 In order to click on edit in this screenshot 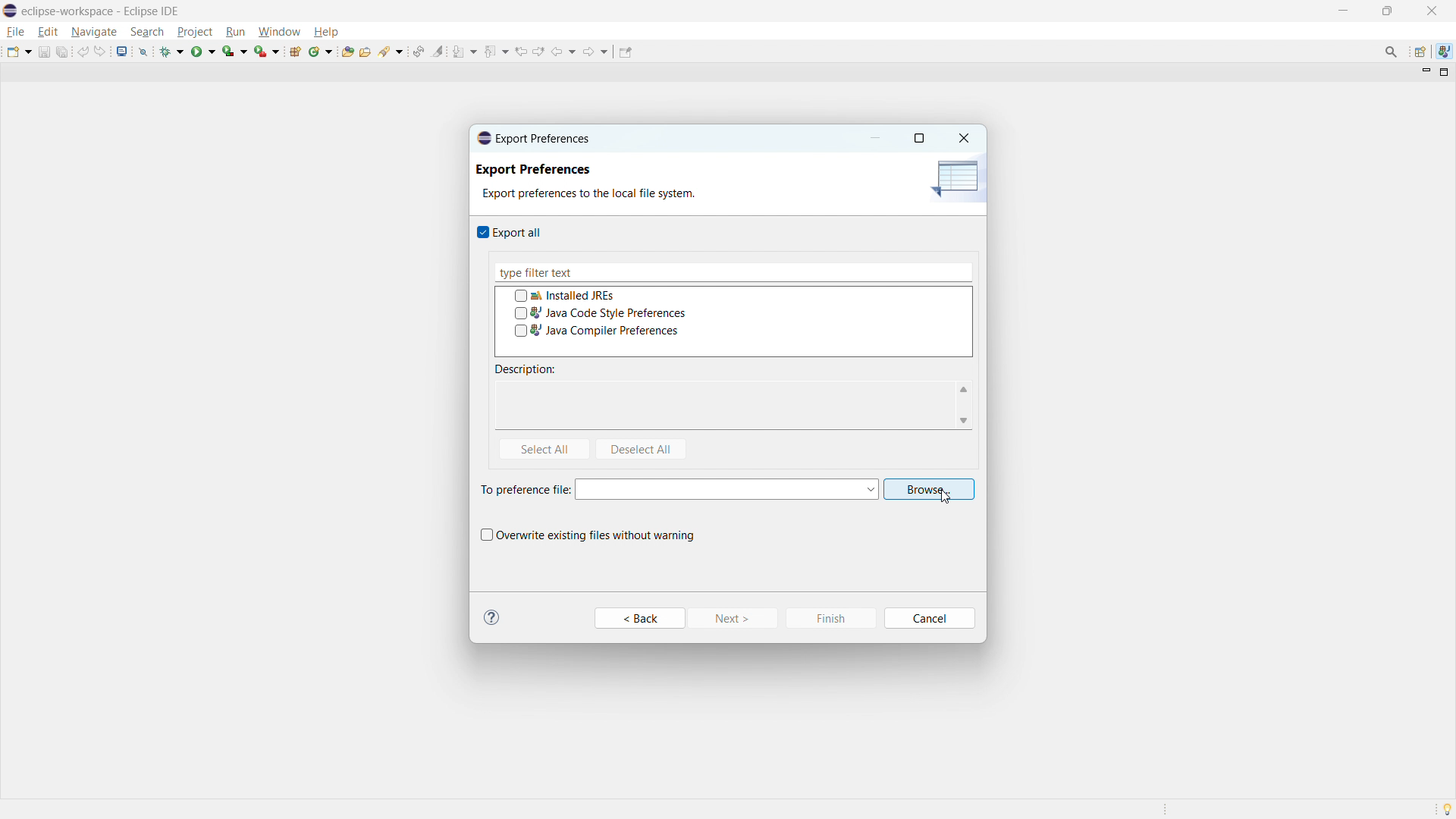, I will do `click(48, 32)`.